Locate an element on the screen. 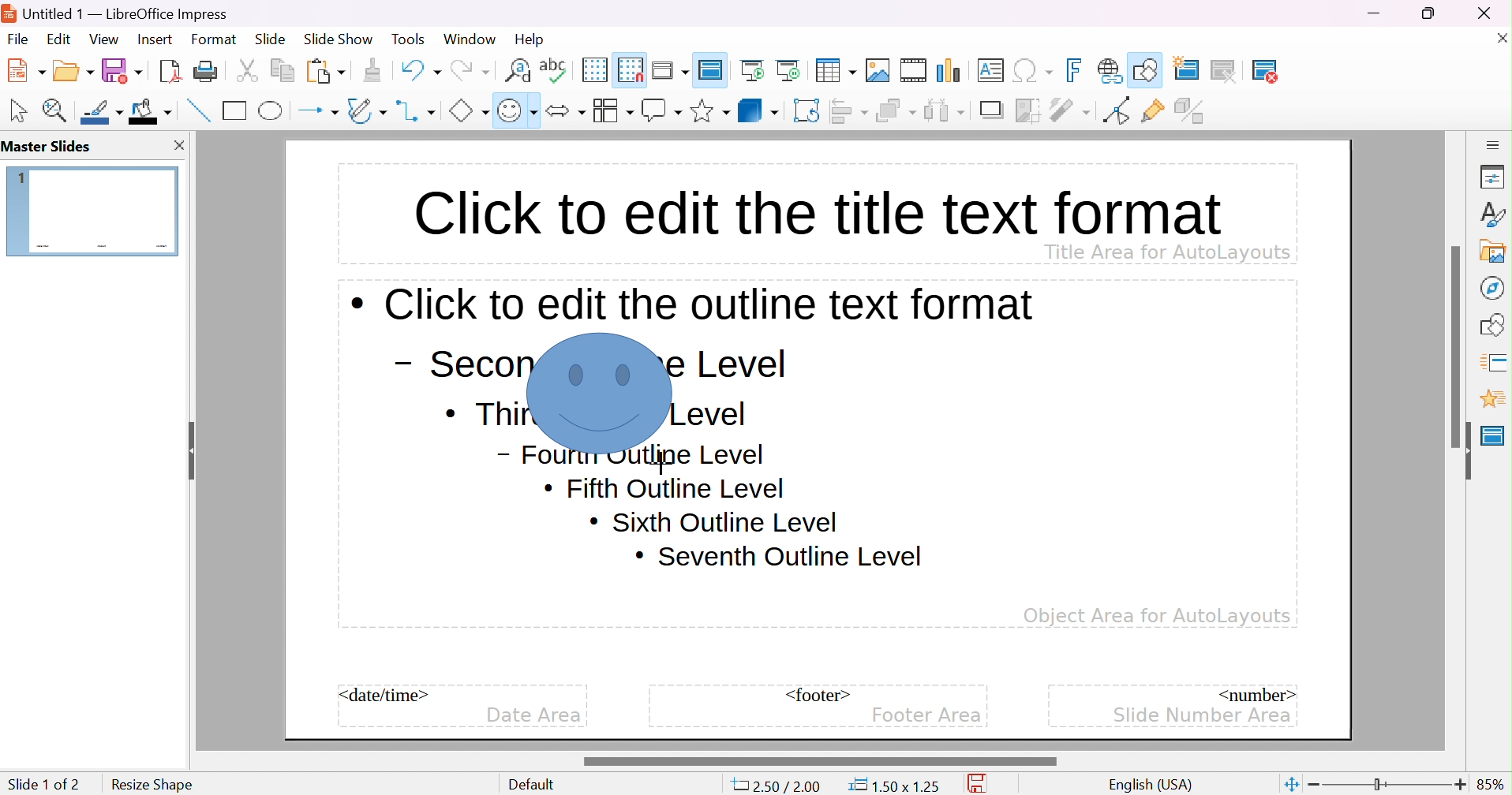 Image resolution: width=1512 pixels, height=795 pixels. animation is located at coordinates (1492, 399).